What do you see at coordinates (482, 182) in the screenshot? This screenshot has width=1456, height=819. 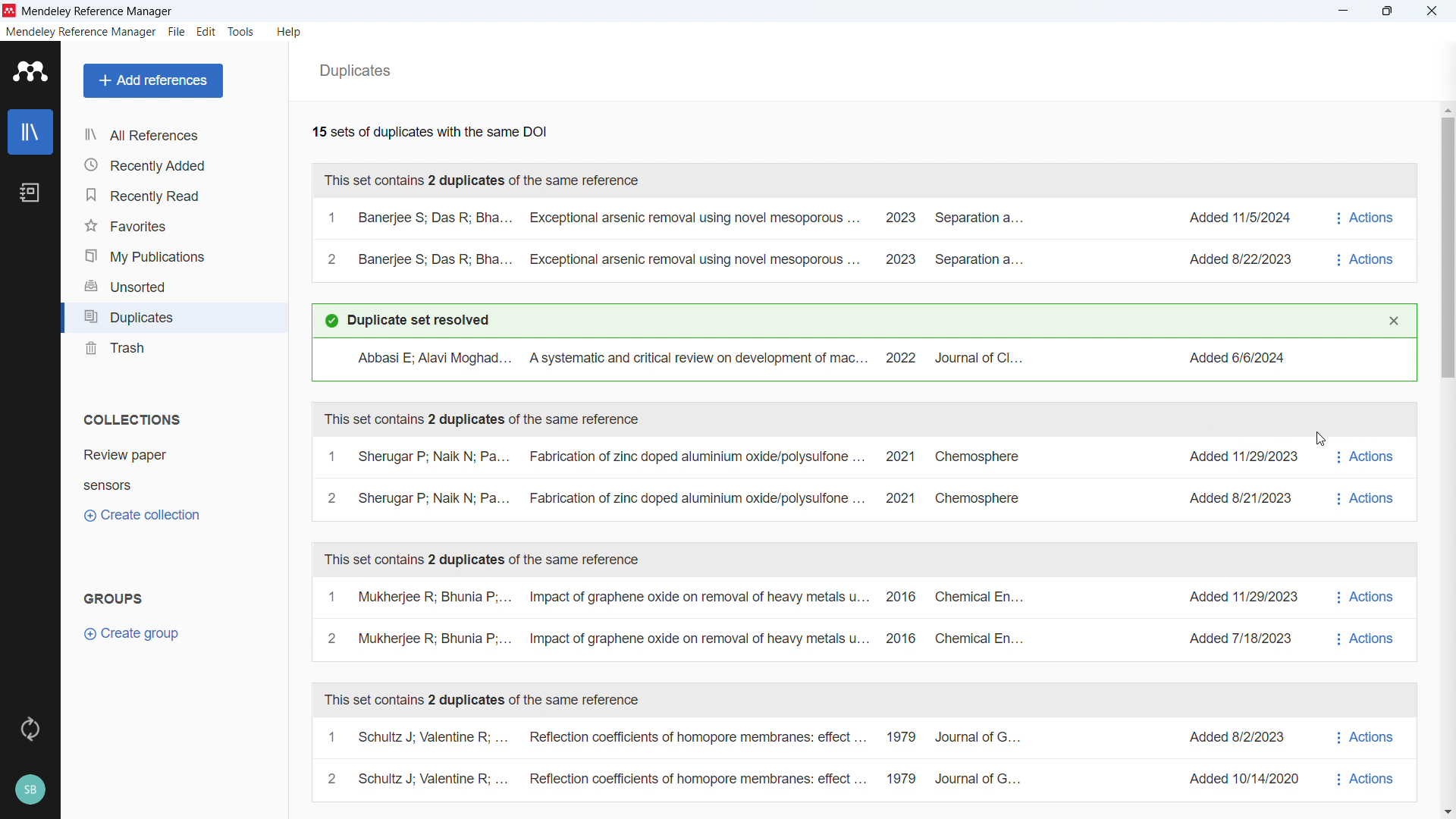 I see `This set contains 2 duplicates of the same reference` at bounding box center [482, 182].